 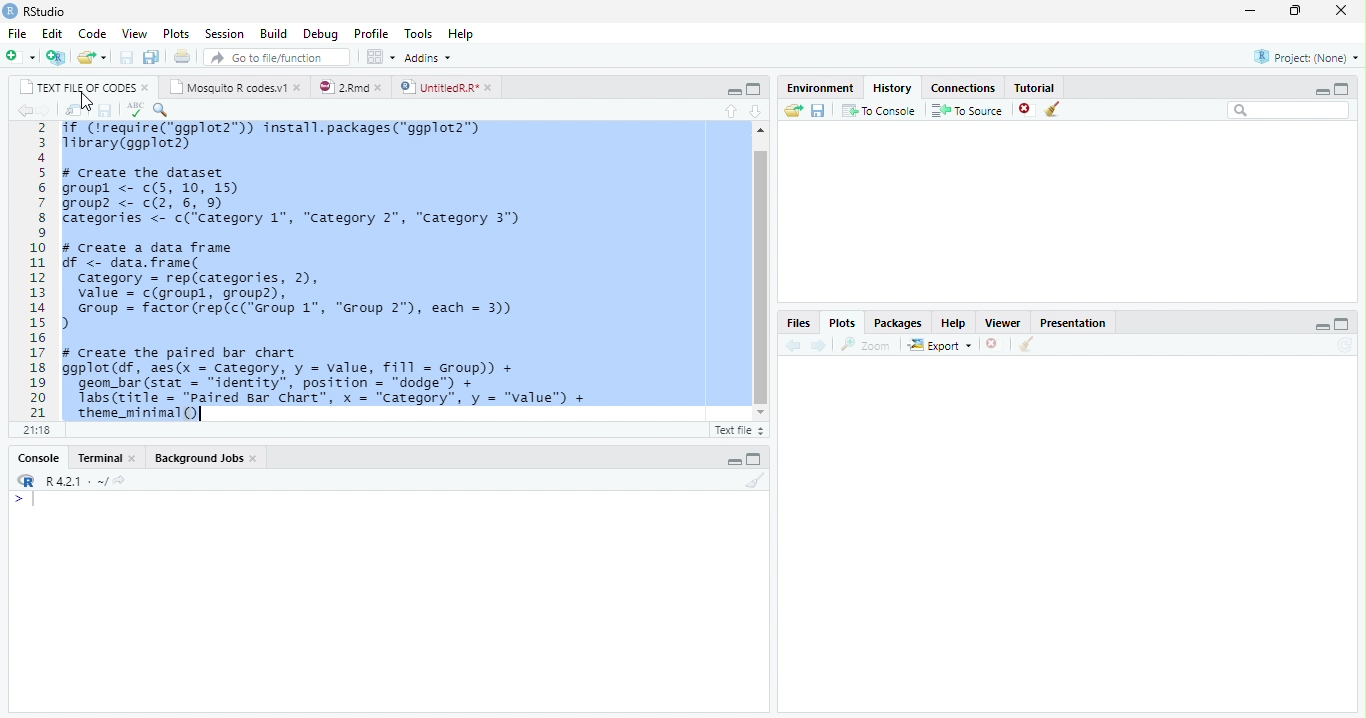 What do you see at coordinates (758, 90) in the screenshot?
I see `maximize` at bounding box center [758, 90].